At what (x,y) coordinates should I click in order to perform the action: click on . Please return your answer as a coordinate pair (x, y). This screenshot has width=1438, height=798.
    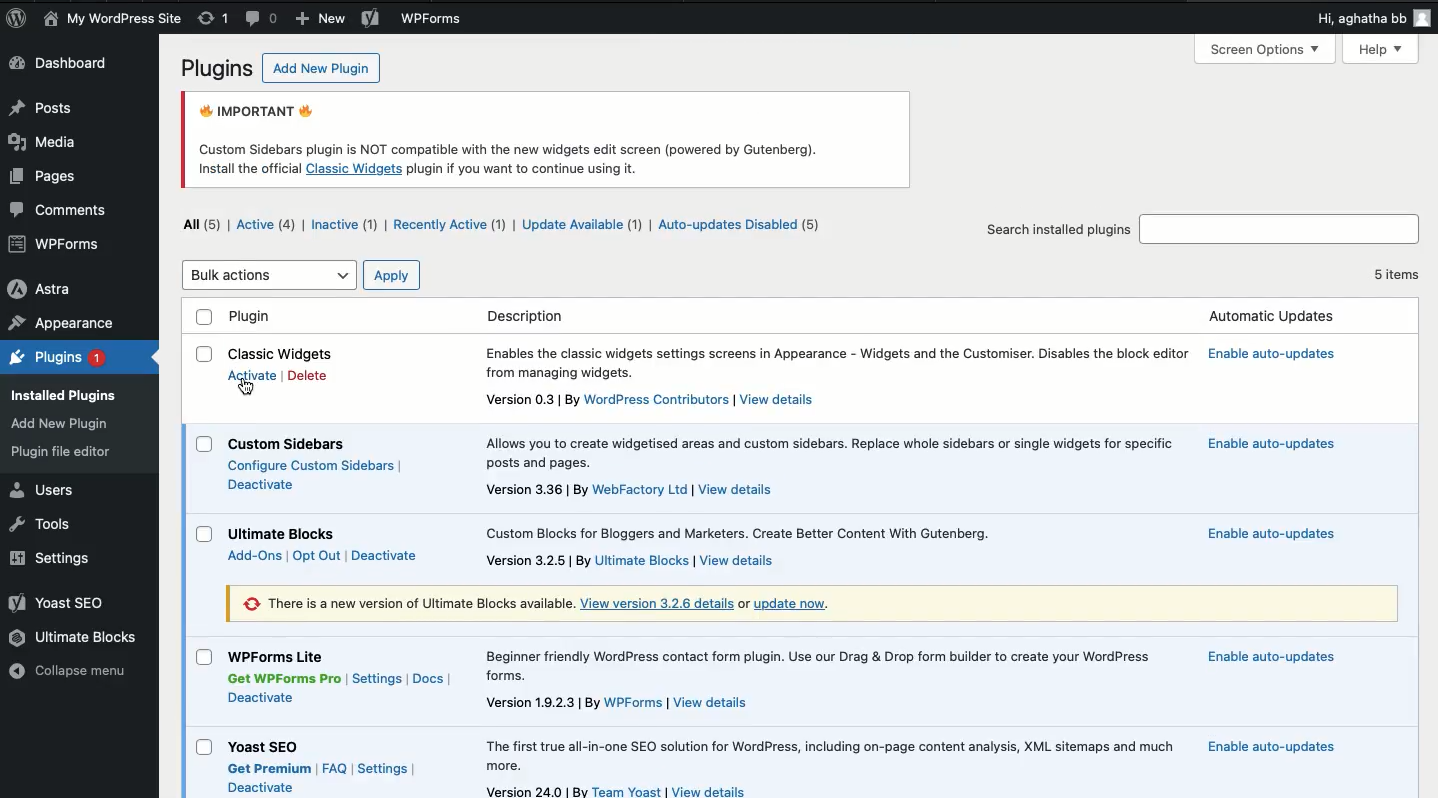
    Looking at the image, I should click on (267, 767).